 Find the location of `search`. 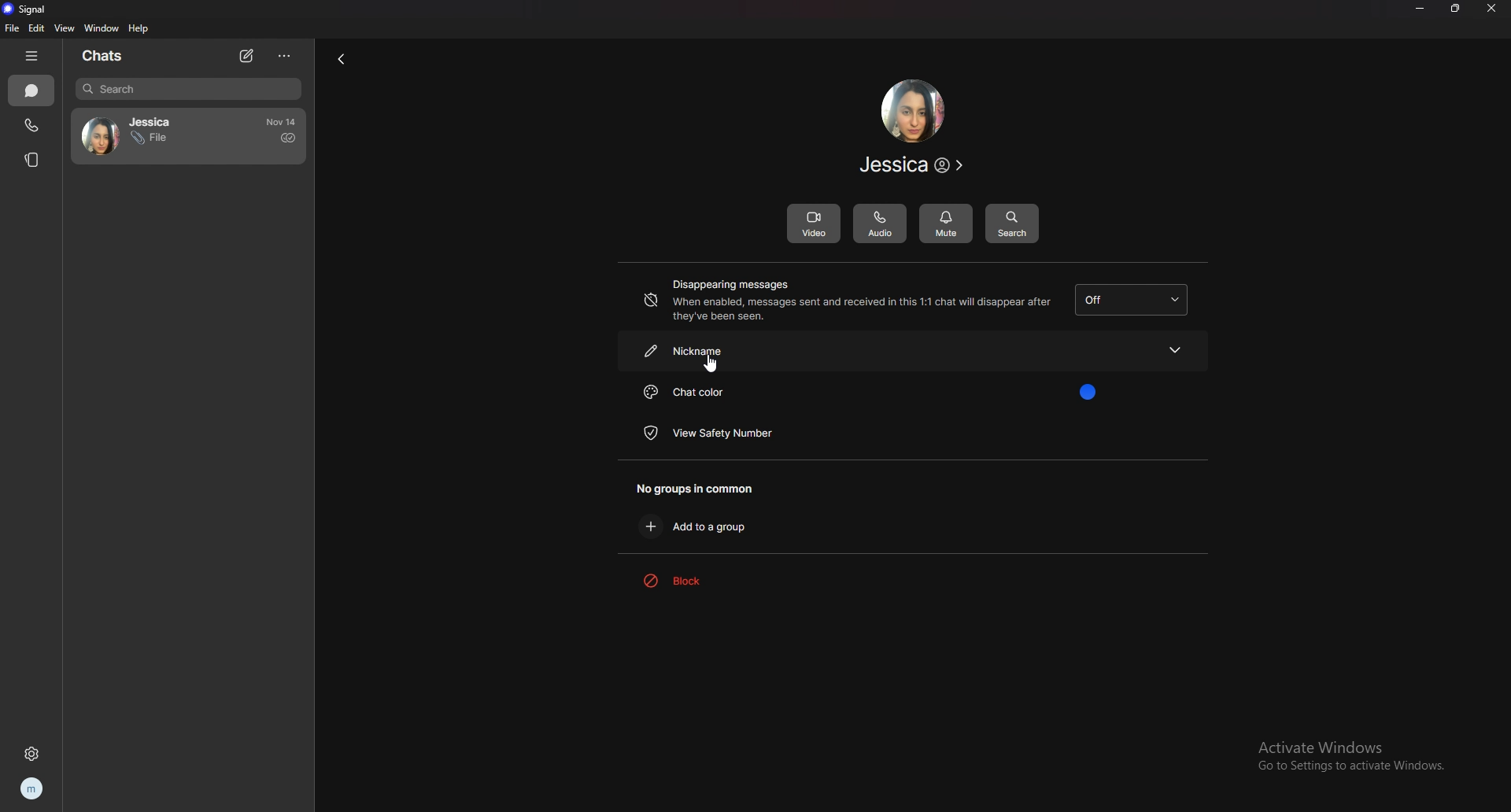

search is located at coordinates (190, 89).